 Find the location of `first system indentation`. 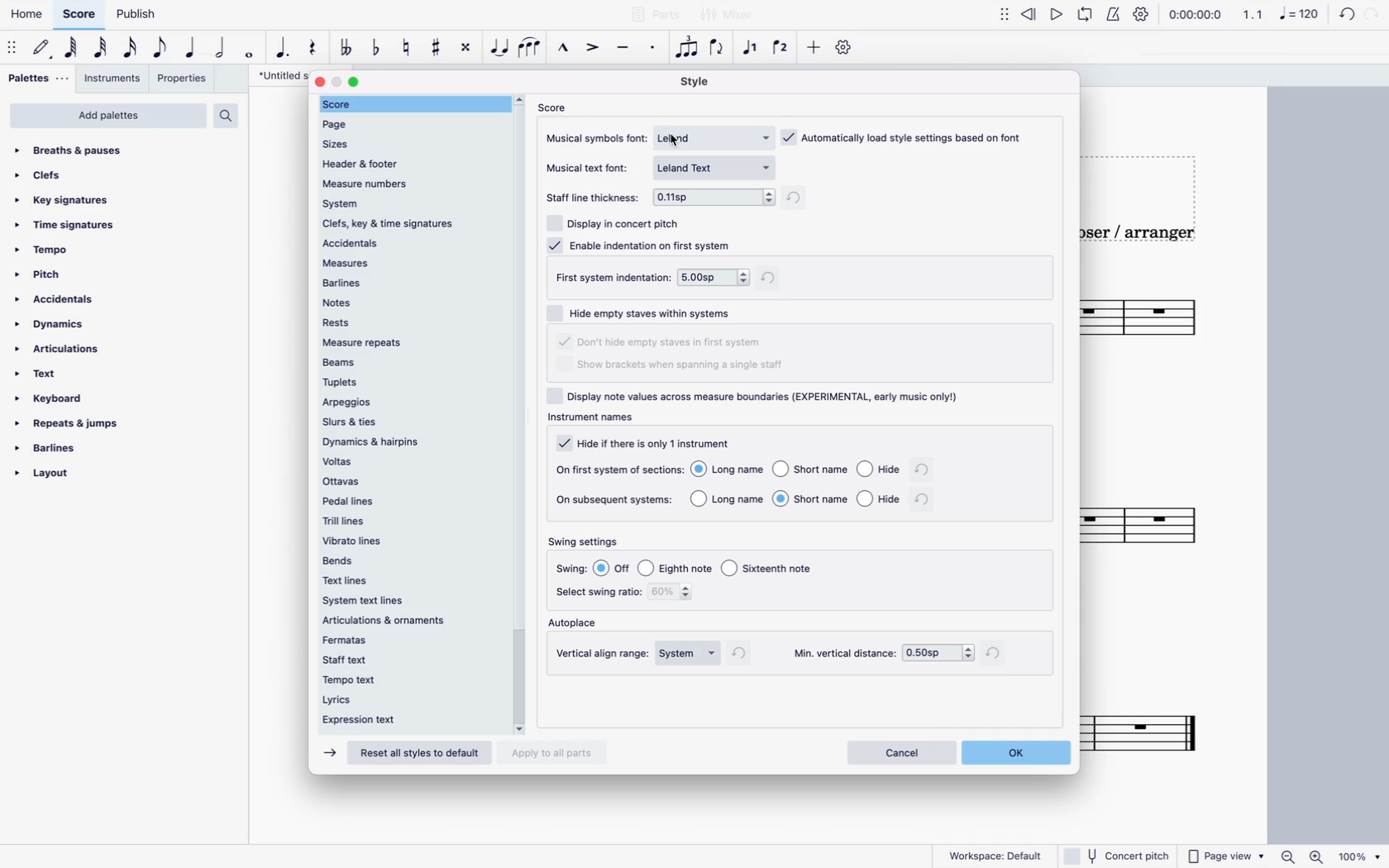

first system indentation is located at coordinates (612, 277).